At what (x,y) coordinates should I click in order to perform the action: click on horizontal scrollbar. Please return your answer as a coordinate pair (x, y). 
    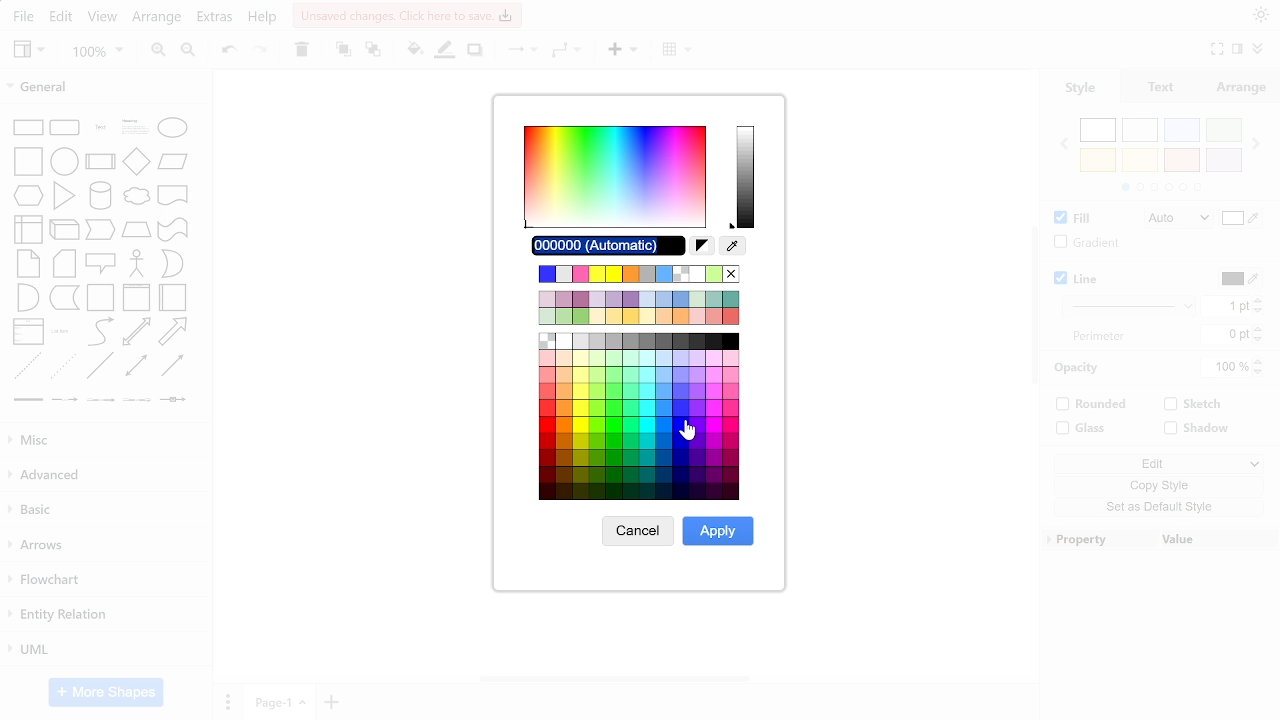
    Looking at the image, I should click on (616, 679).